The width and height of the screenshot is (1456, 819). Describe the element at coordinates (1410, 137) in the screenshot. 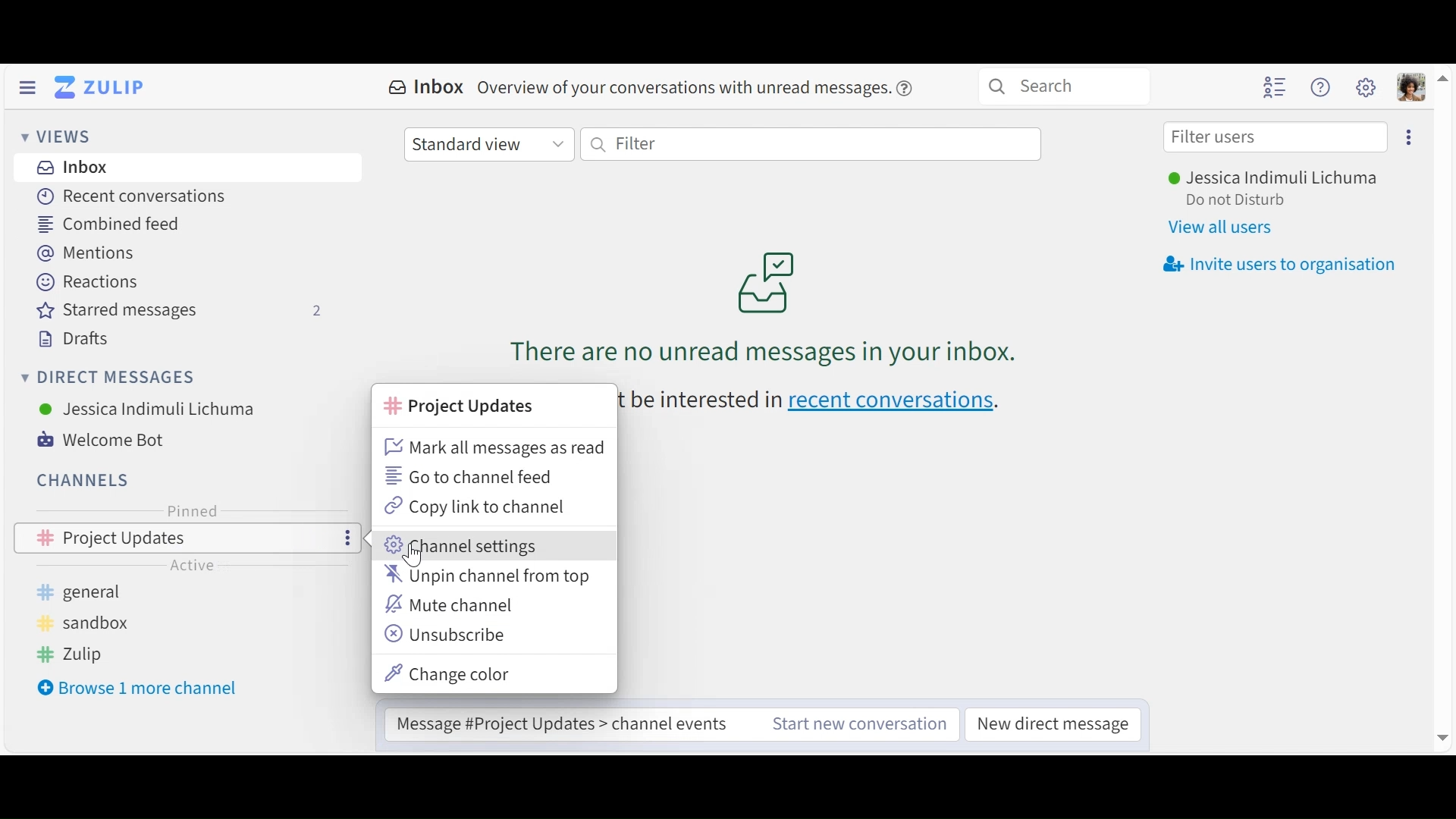

I see `eclipse` at that location.